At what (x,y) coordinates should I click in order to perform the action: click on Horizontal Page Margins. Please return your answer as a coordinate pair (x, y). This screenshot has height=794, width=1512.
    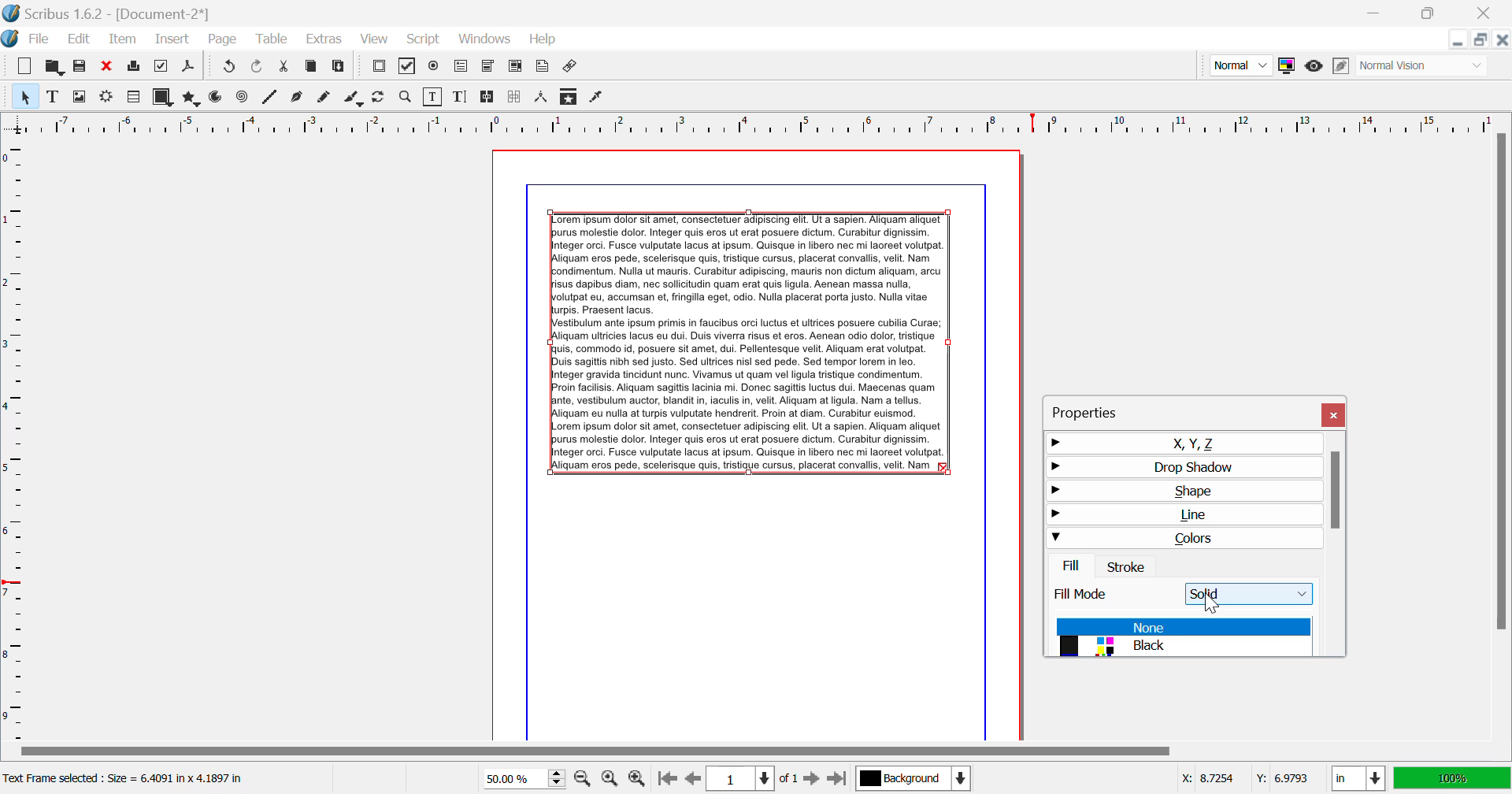
    Looking at the image, I should click on (15, 439).